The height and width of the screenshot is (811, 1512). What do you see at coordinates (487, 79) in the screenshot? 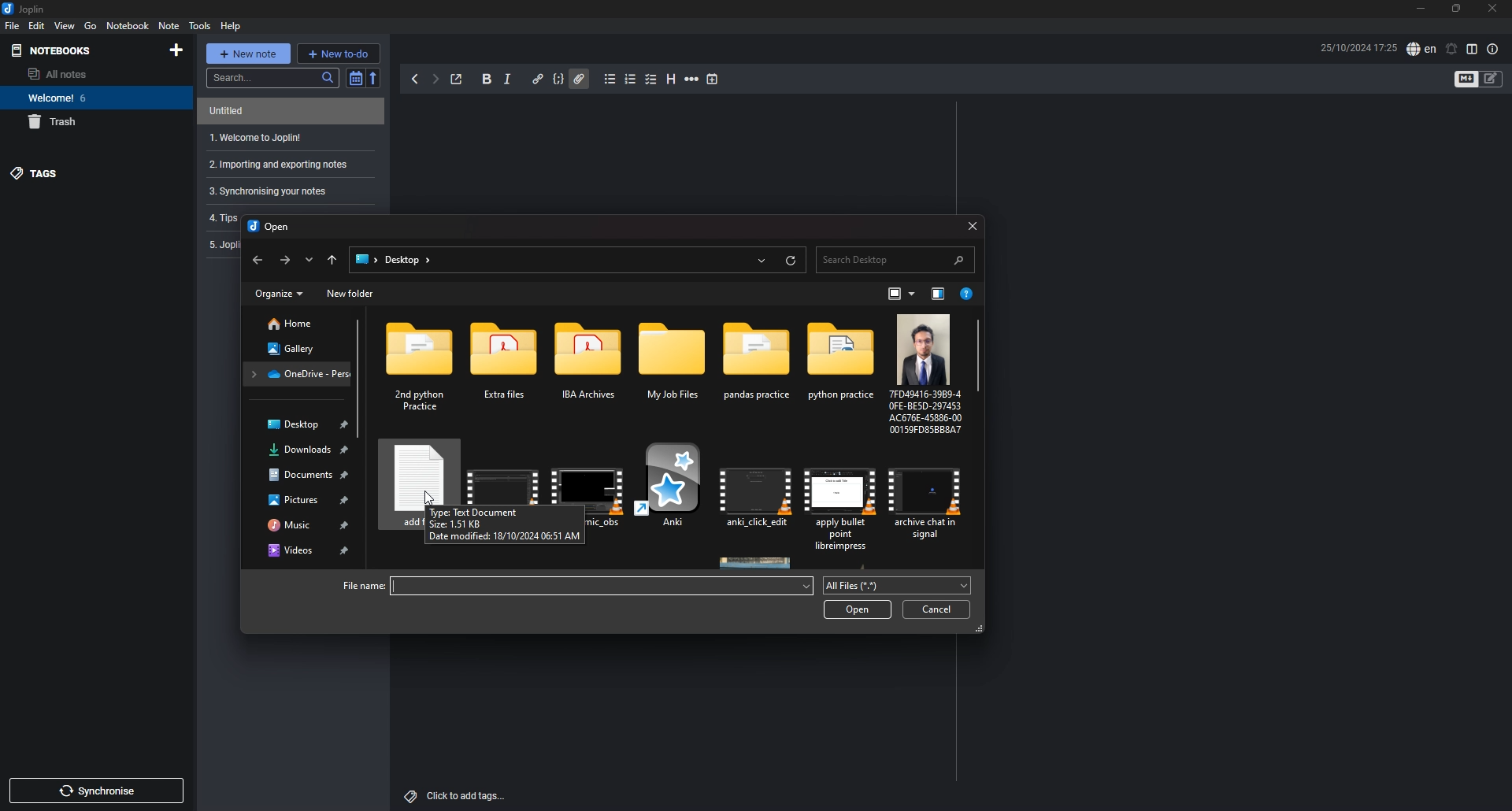
I see `bold` at bounding box center [487, 79].